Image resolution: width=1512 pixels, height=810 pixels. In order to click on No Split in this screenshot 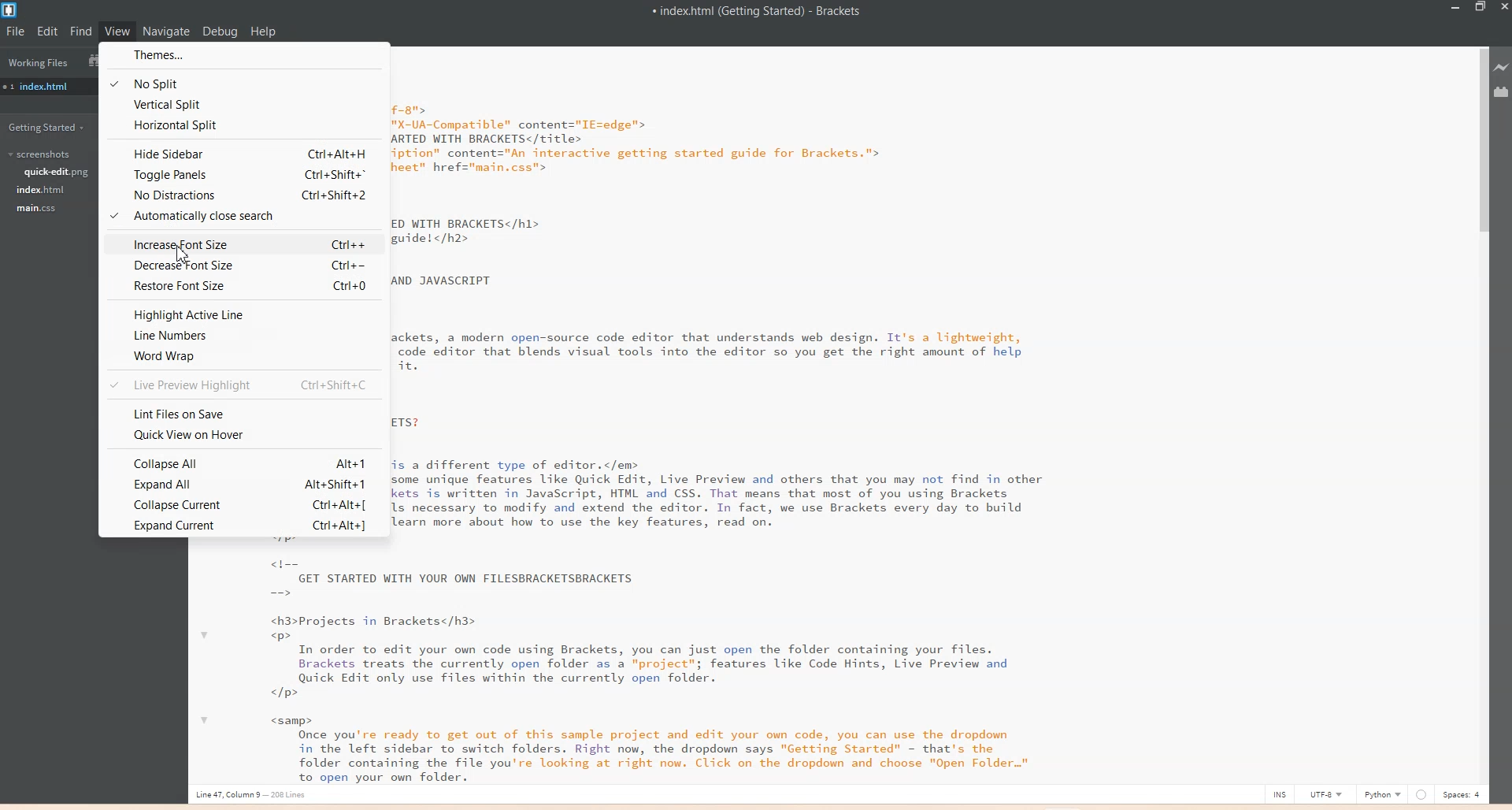, I will do `click(244, 80)`.